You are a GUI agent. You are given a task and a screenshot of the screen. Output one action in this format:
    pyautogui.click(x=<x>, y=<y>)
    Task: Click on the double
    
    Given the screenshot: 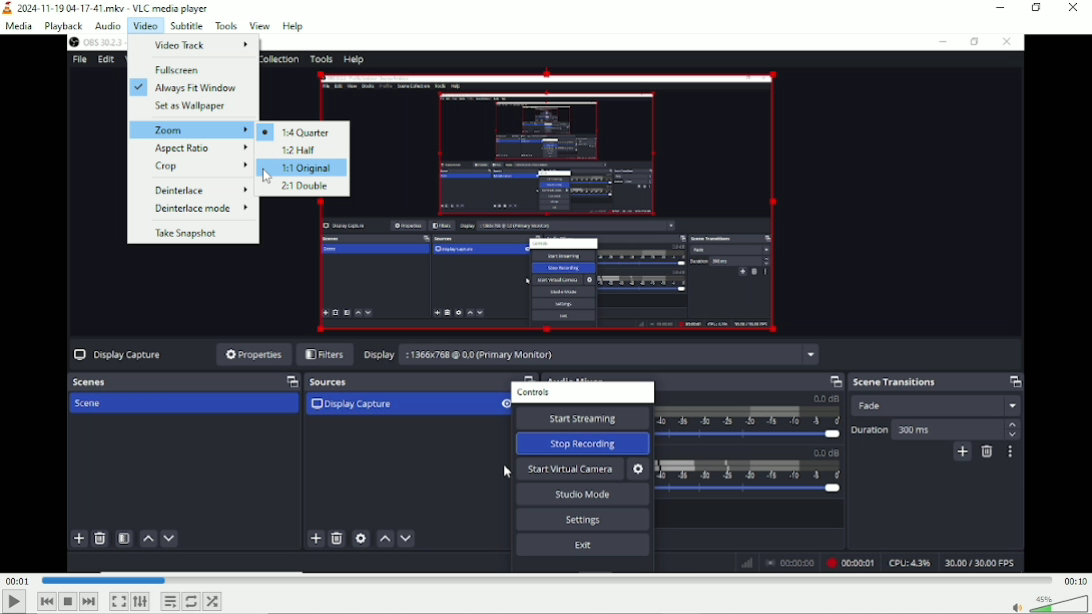 What is the action you would take?
    pyautogui.click(x=303, y=187)
    